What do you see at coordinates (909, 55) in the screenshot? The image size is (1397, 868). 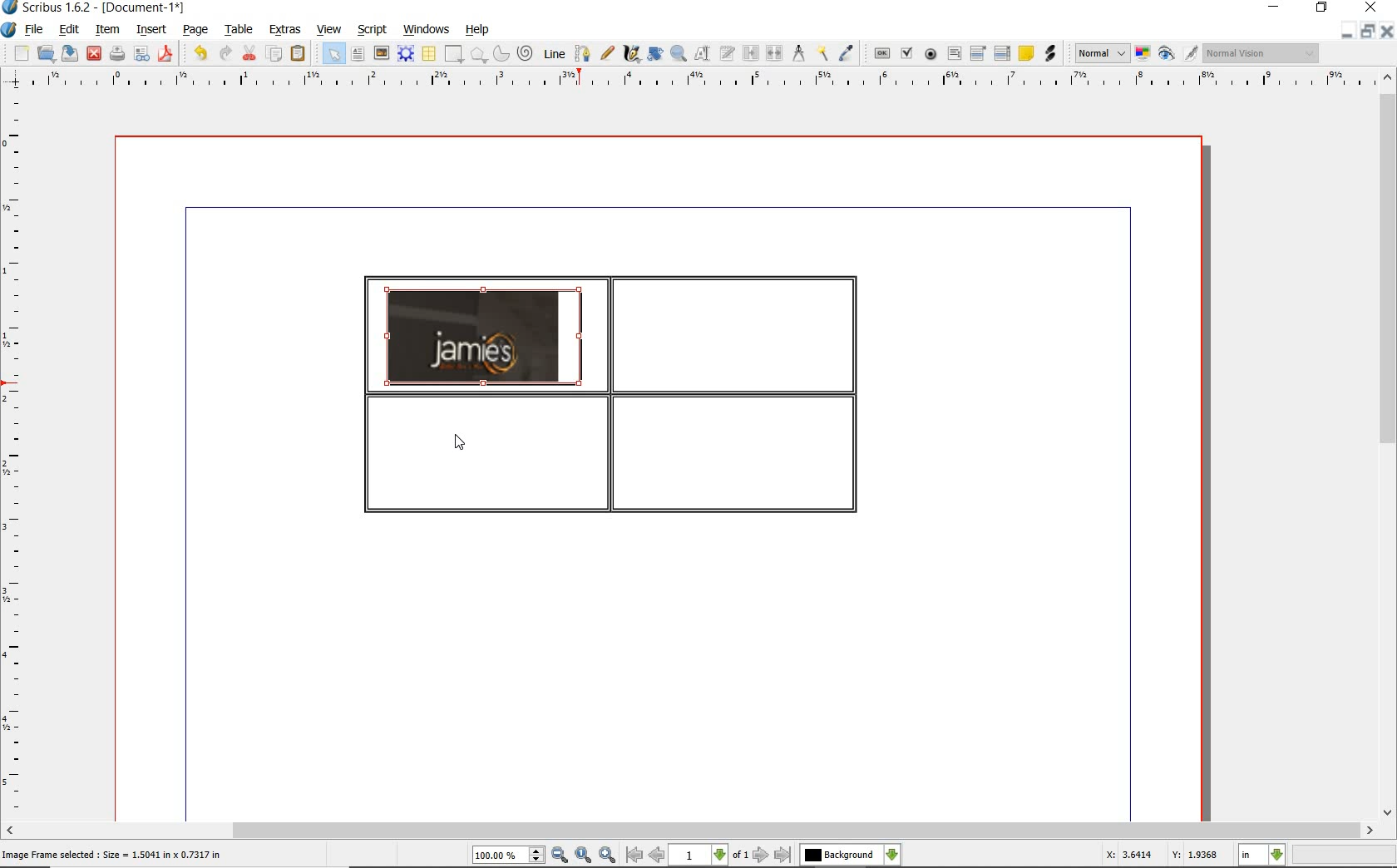 I see `pdf check box` at bounding box center [909, 55].